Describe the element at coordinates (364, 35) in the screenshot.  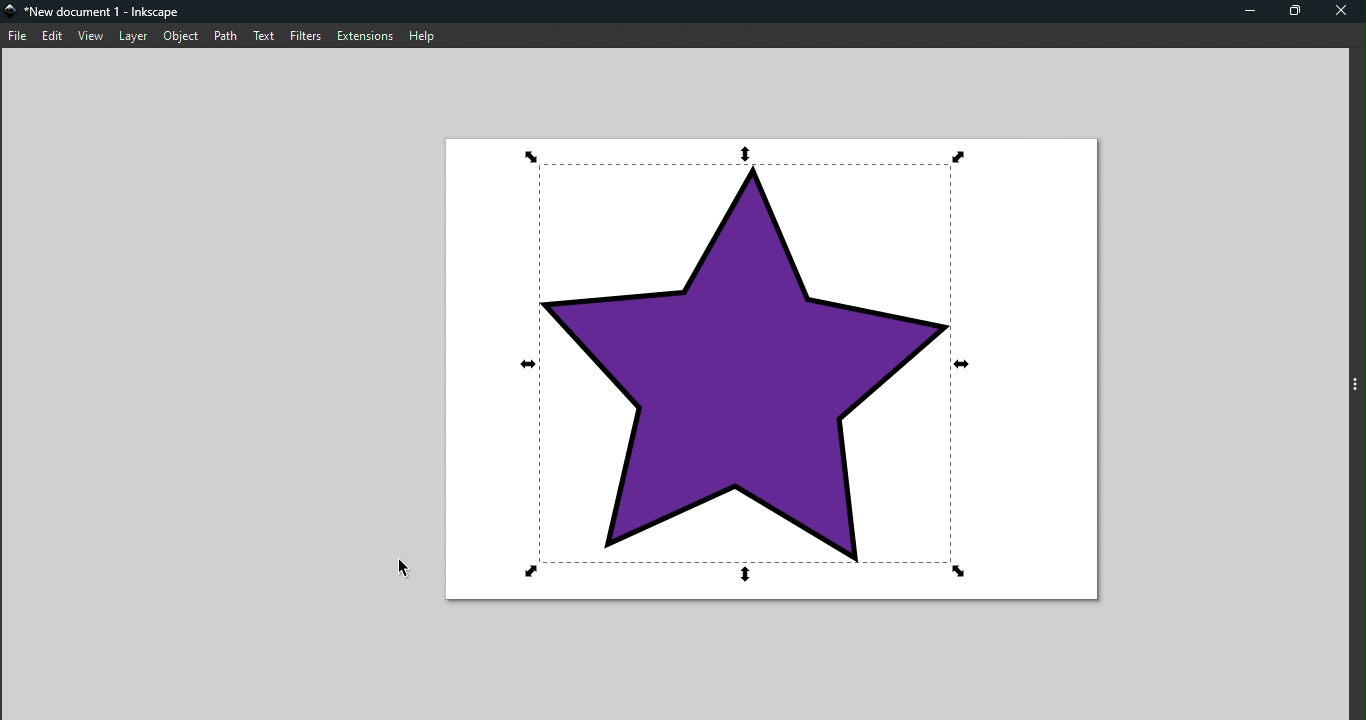
I see `Extensions` at that location.